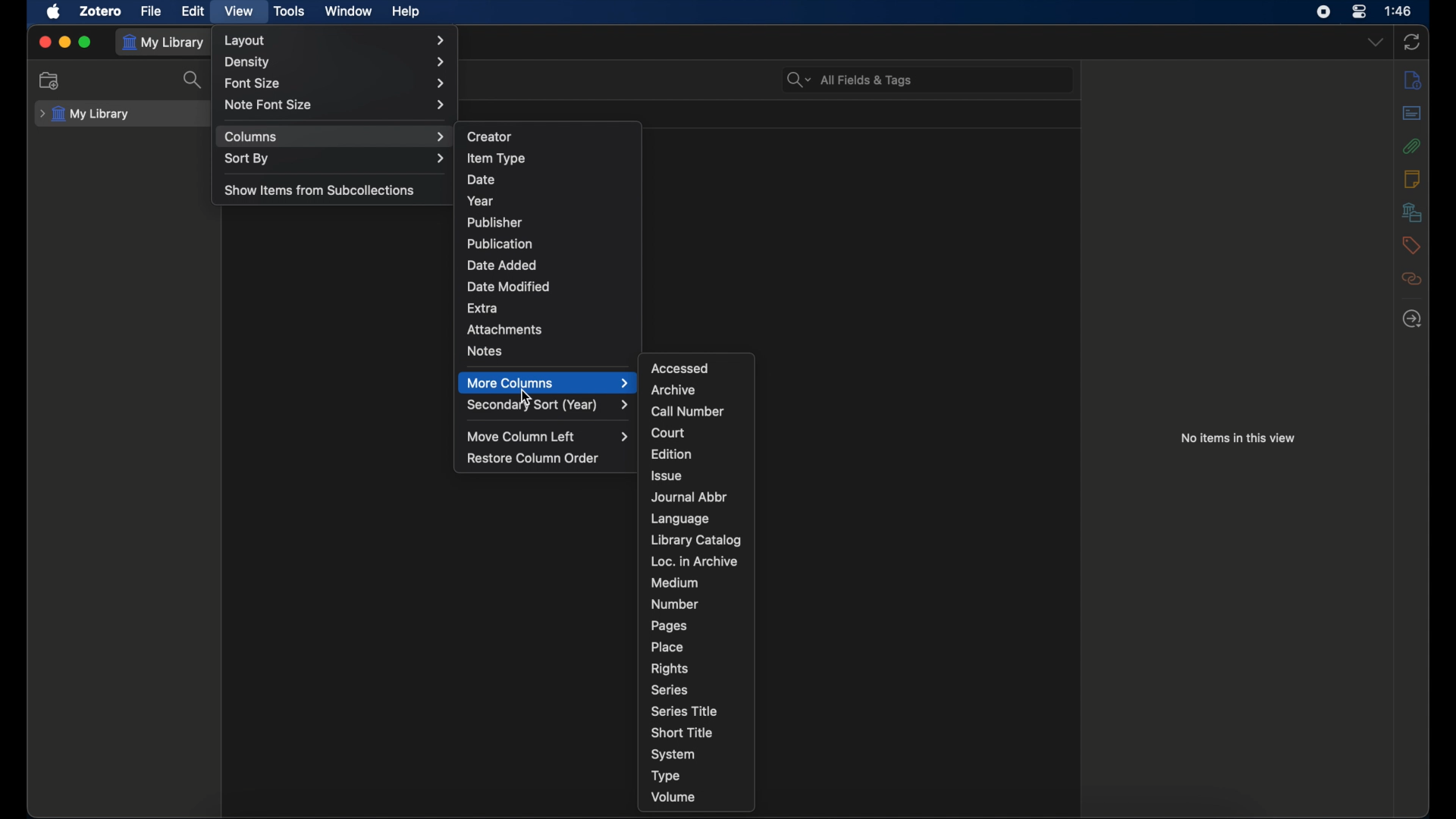  What do you see at coordinates (669, 667) in the screenshot?
I see `rights` at bounding box center [669, 667].